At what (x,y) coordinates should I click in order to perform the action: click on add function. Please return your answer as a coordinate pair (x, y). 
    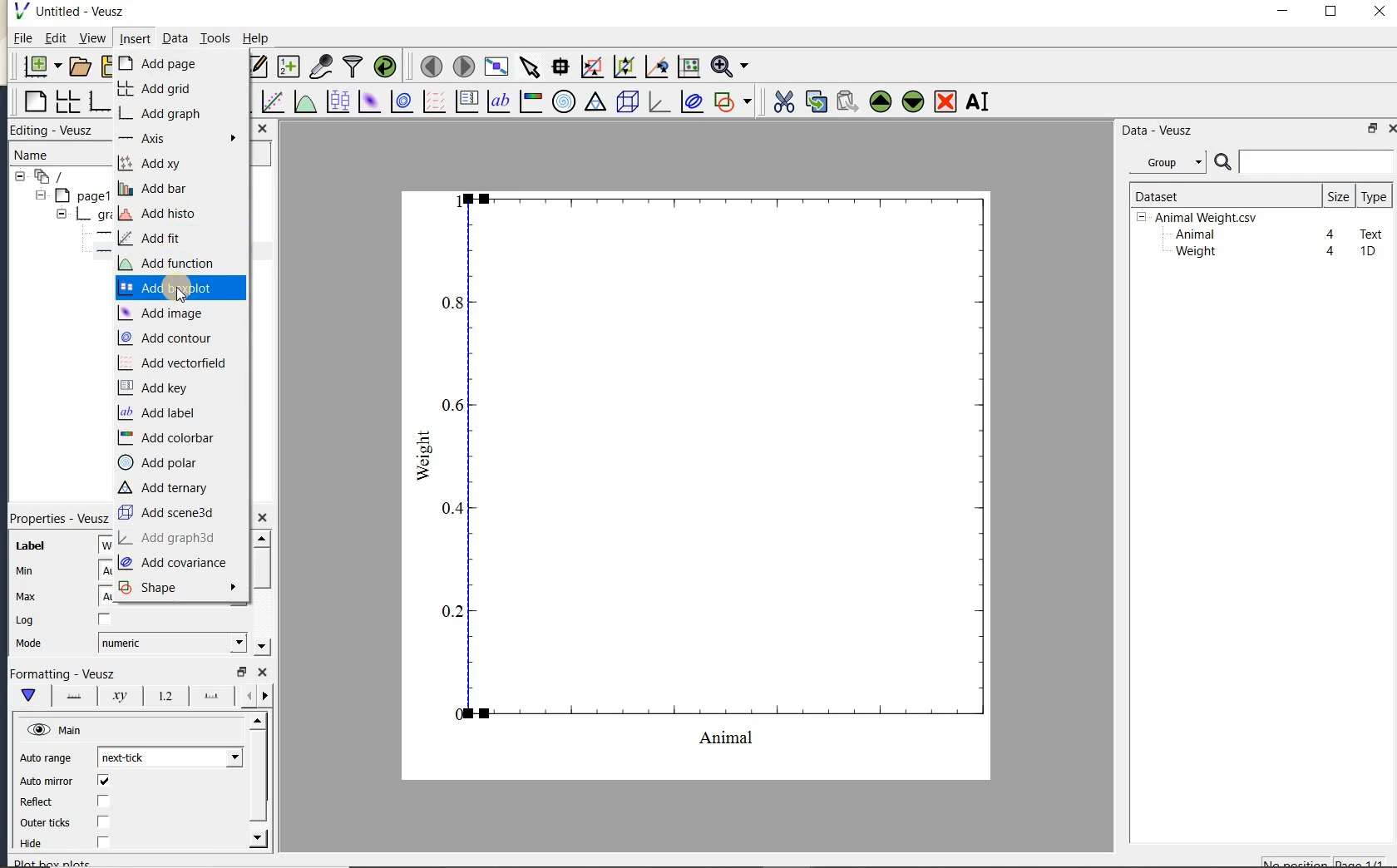
    Looking at the image, I should click on (175, 263).